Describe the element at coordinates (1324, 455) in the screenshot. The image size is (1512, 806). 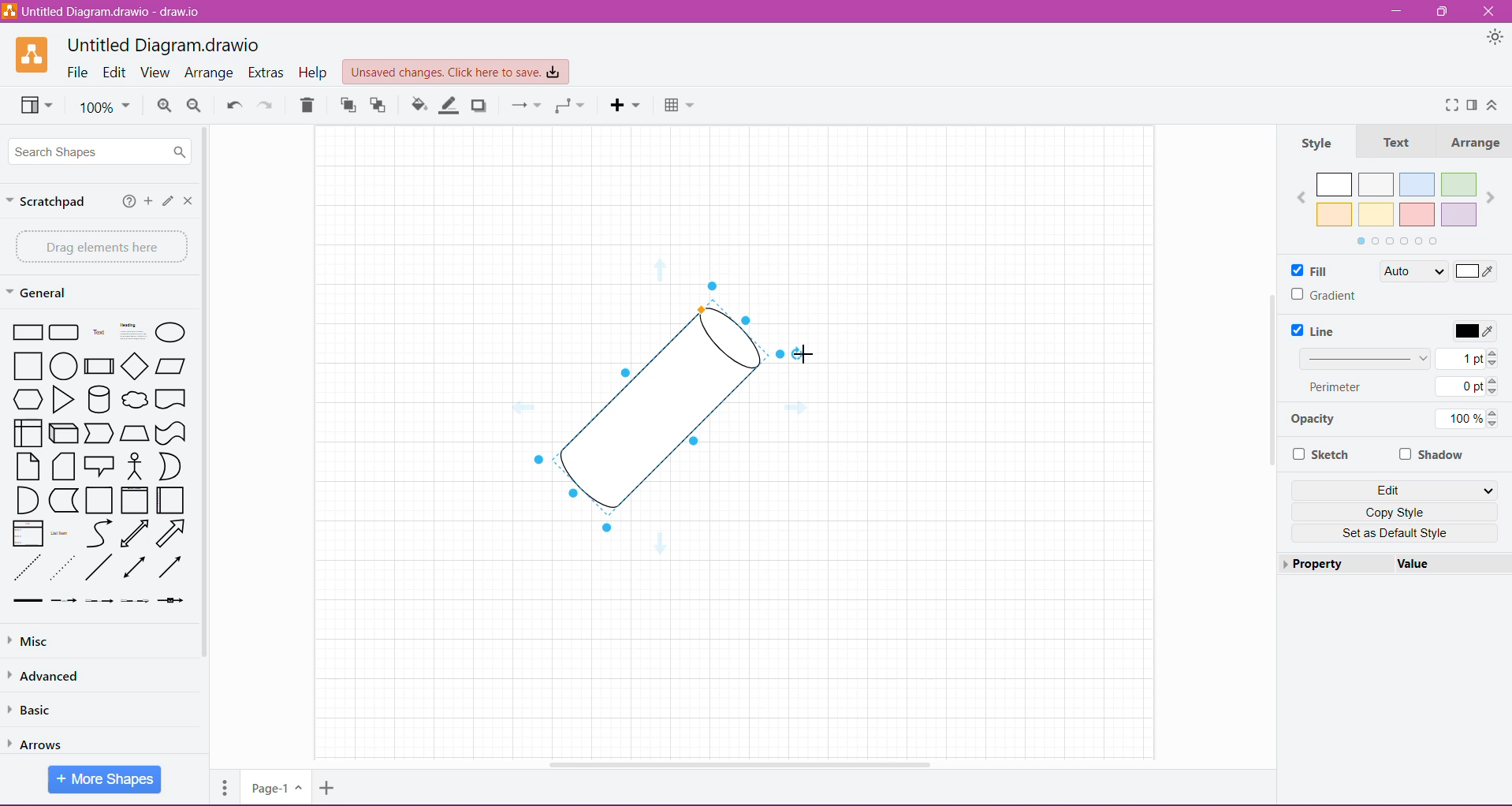
I see `Sketch - click to enable/disable` at that location.